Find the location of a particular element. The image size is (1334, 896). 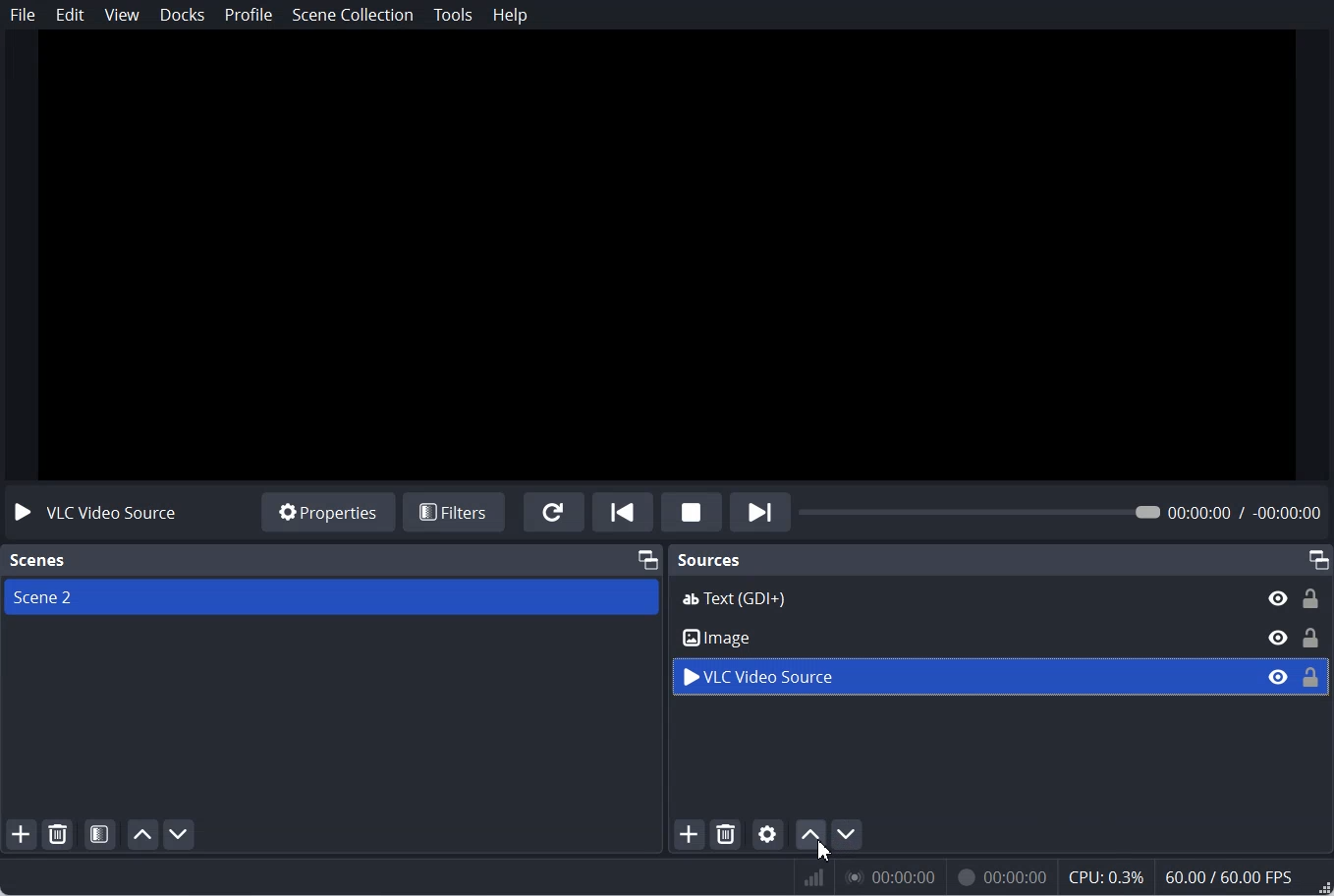

Maximize is located at coordinates (646, 559).